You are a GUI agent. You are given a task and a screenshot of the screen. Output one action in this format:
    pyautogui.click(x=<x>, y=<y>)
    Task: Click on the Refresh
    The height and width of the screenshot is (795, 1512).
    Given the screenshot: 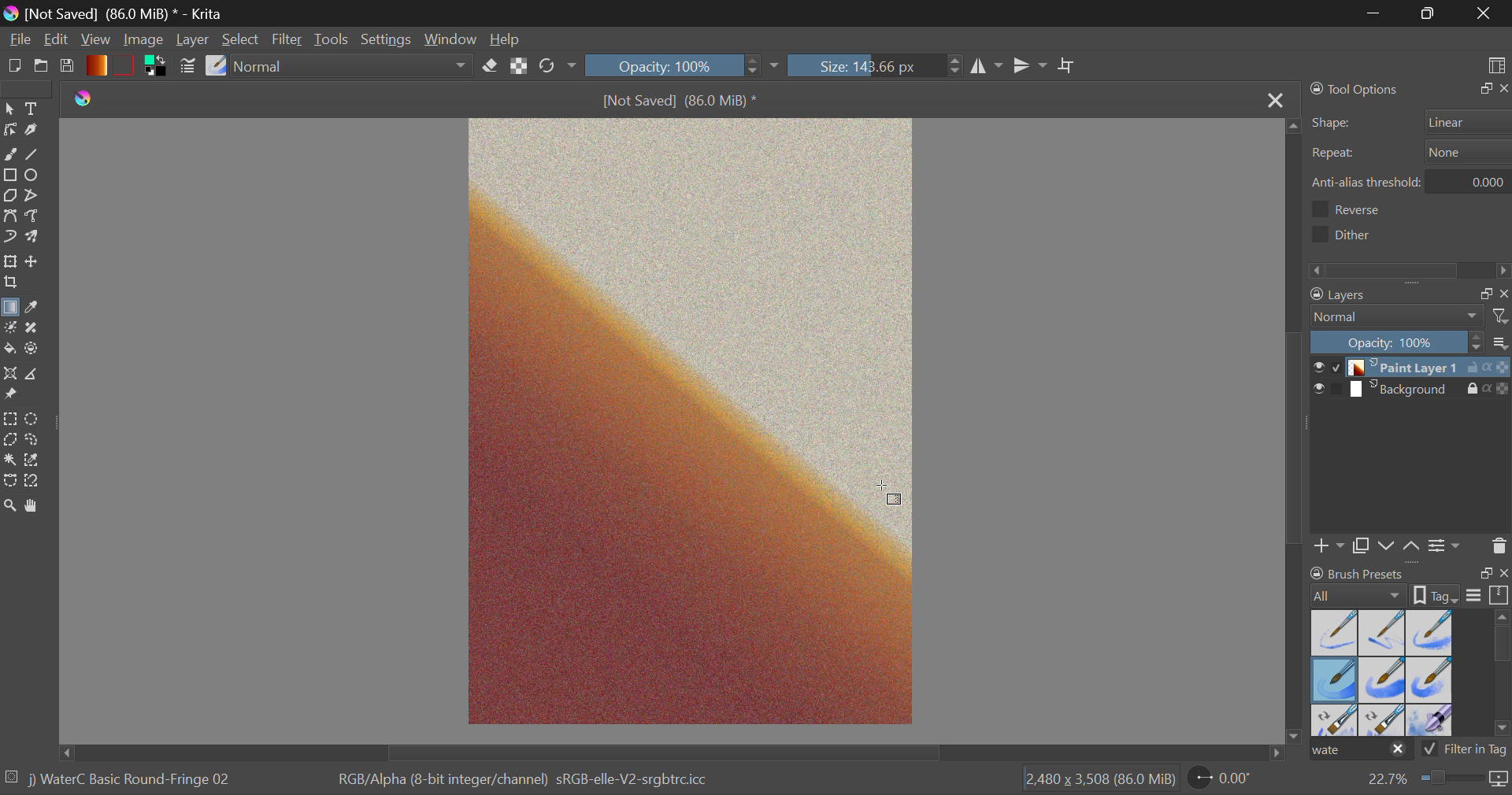 What is the action you would take?
    pyautogui.click(x=558, y=68)
    